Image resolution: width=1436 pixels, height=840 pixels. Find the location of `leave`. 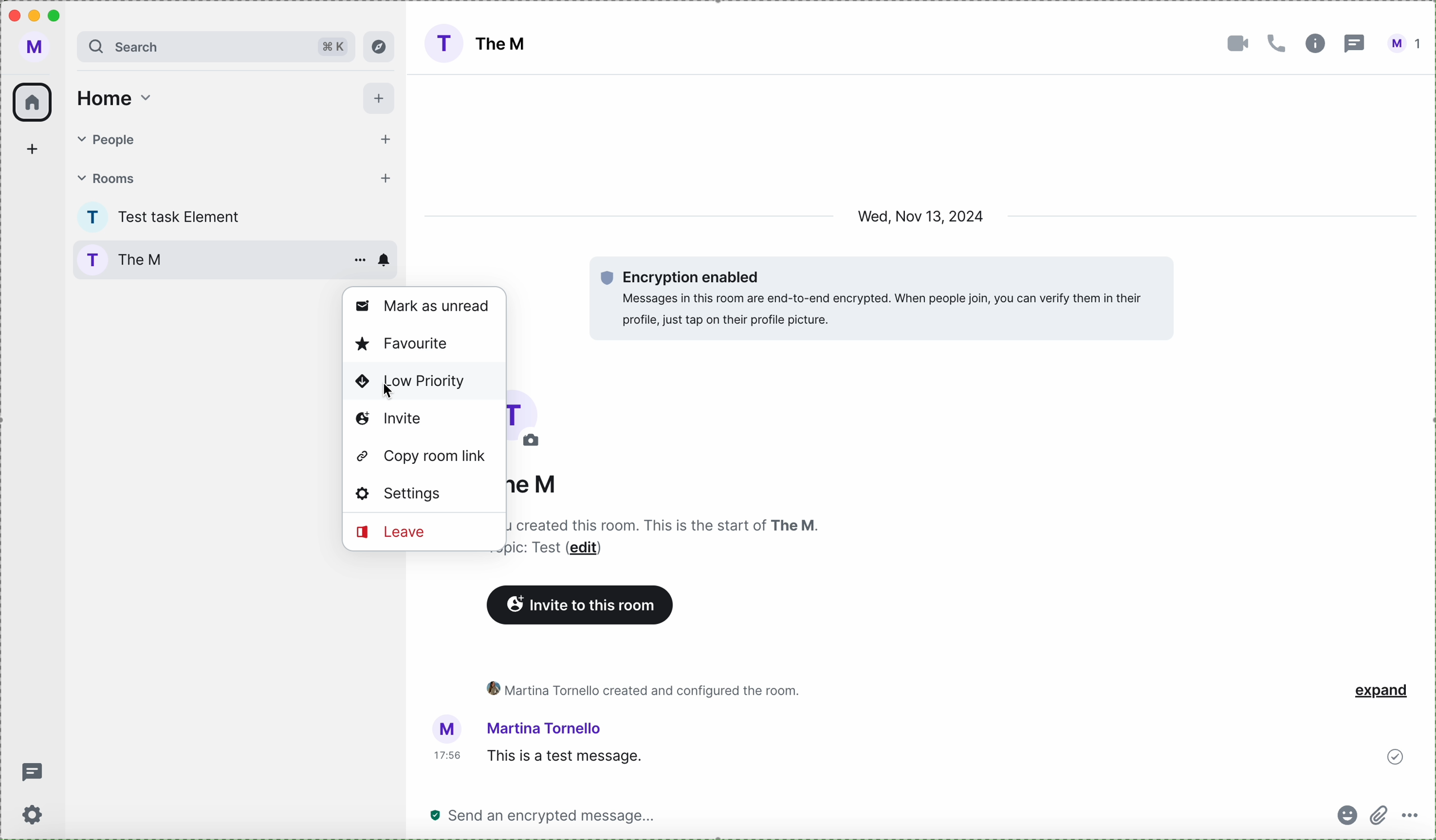

leave is located at coordinates (387, 530).